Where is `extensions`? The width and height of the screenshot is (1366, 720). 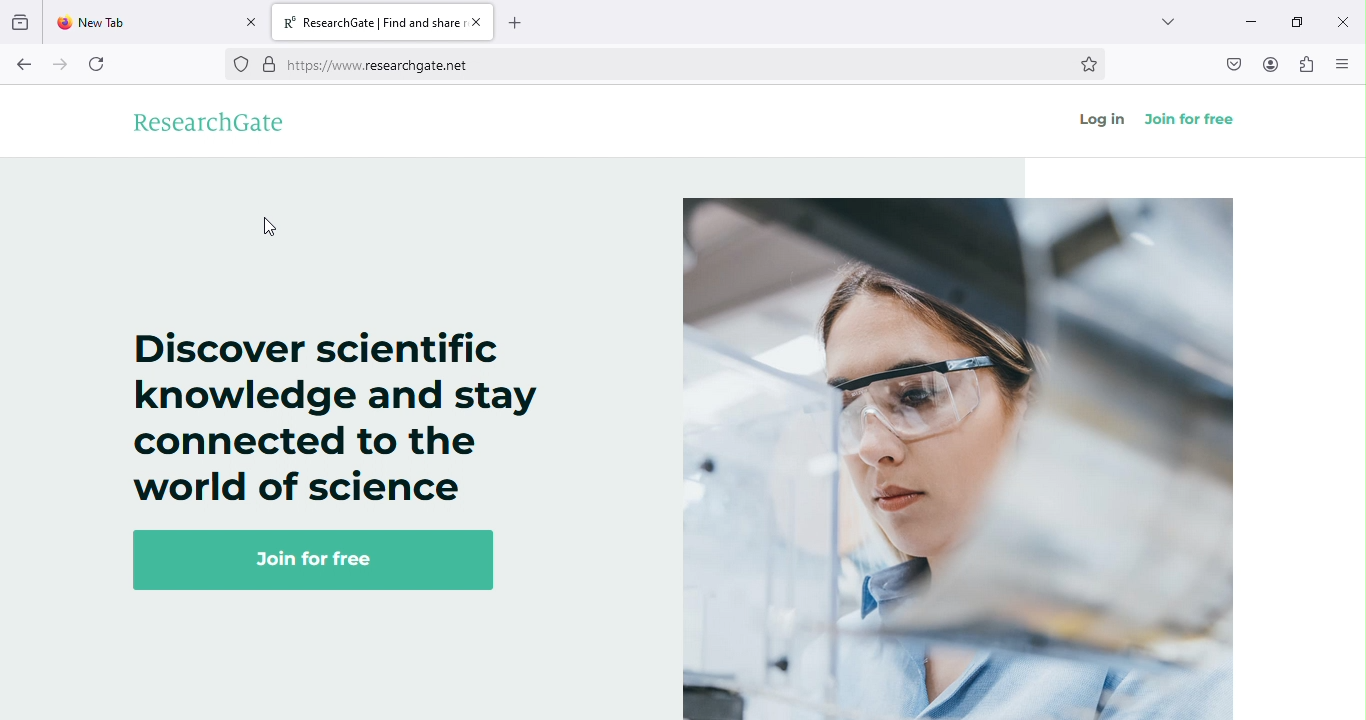 extensions is located at coordinates (1309, 65).